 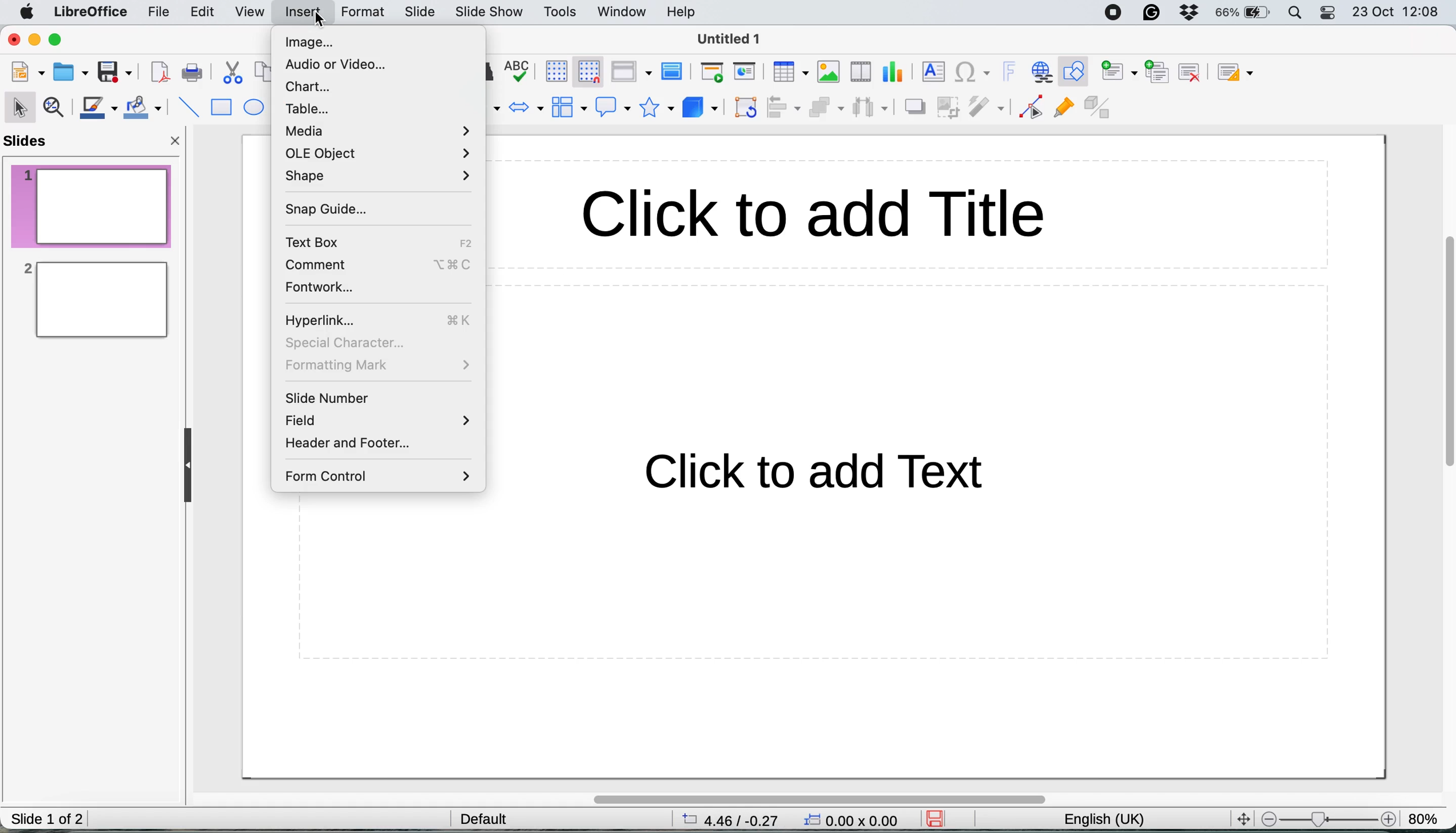 What do you see at coordinates (192, 466) in the screenshot?
I see `collapse` at bounding box center [192, 466].